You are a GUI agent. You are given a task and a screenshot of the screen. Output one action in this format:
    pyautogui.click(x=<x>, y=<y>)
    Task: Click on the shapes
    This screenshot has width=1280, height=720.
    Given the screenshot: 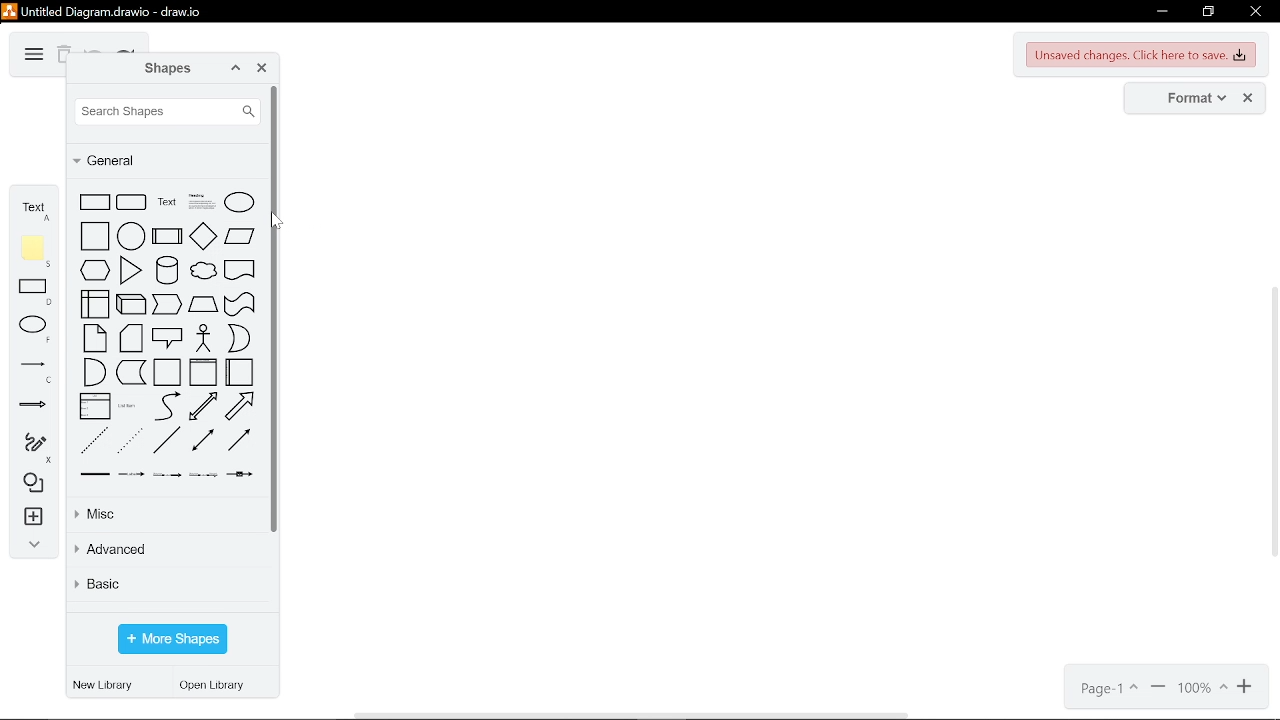 What is the action you would take?
    pyautogui.click(x=166, y=69)
    